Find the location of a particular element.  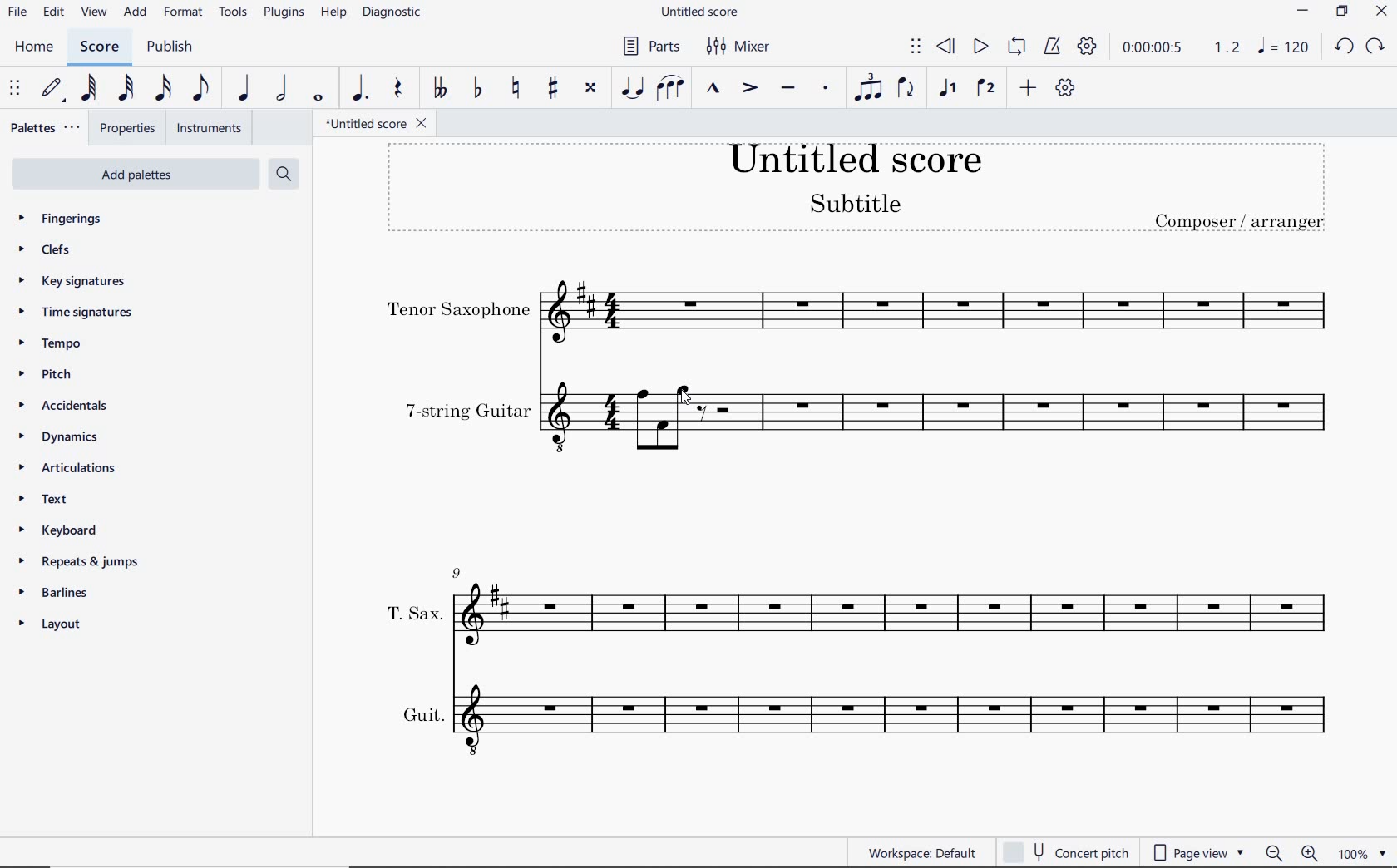

ARTICULATIONS is located at coordinates (66, 467).